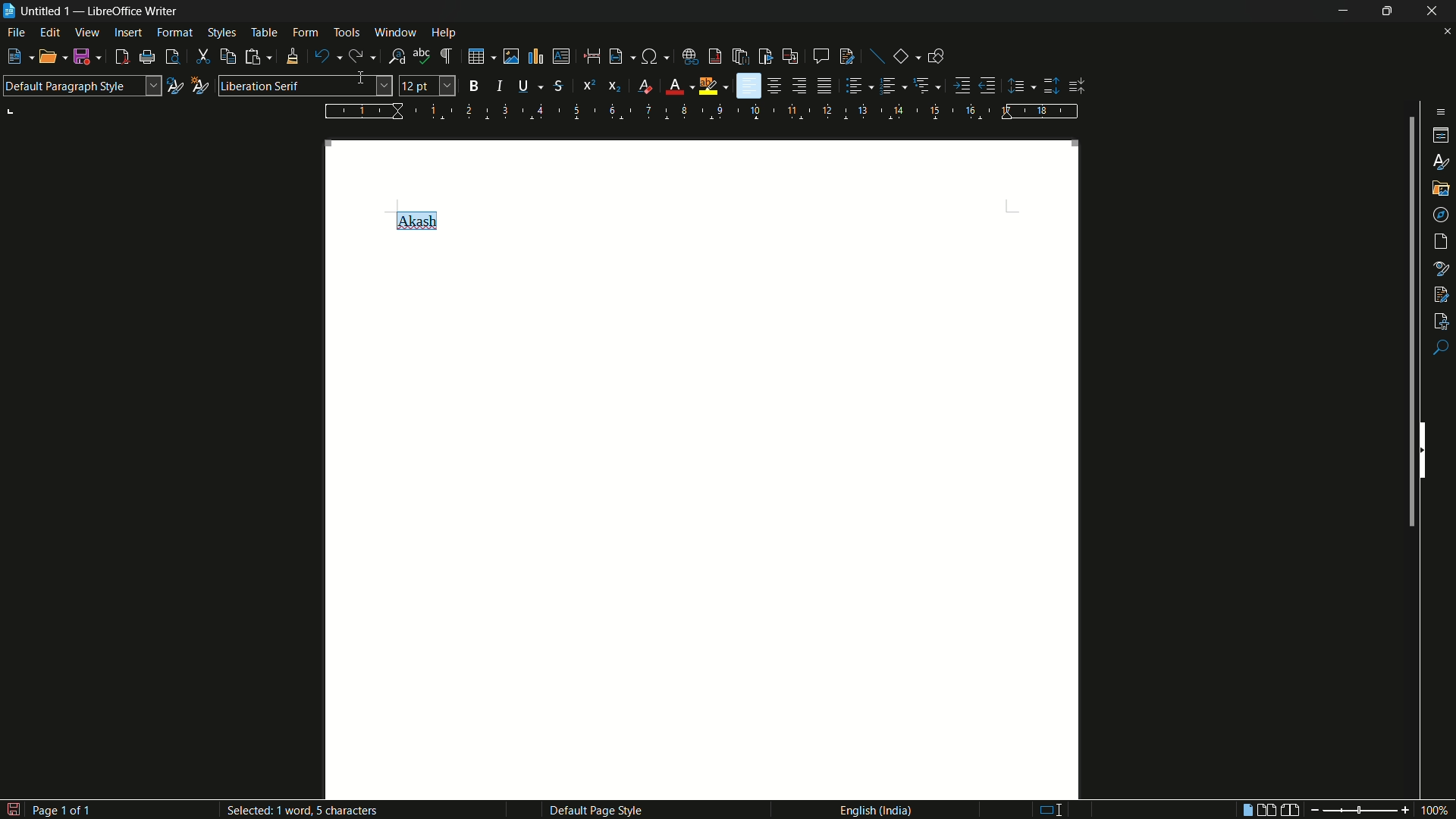  I want to click on view menu, so click(87, 33).